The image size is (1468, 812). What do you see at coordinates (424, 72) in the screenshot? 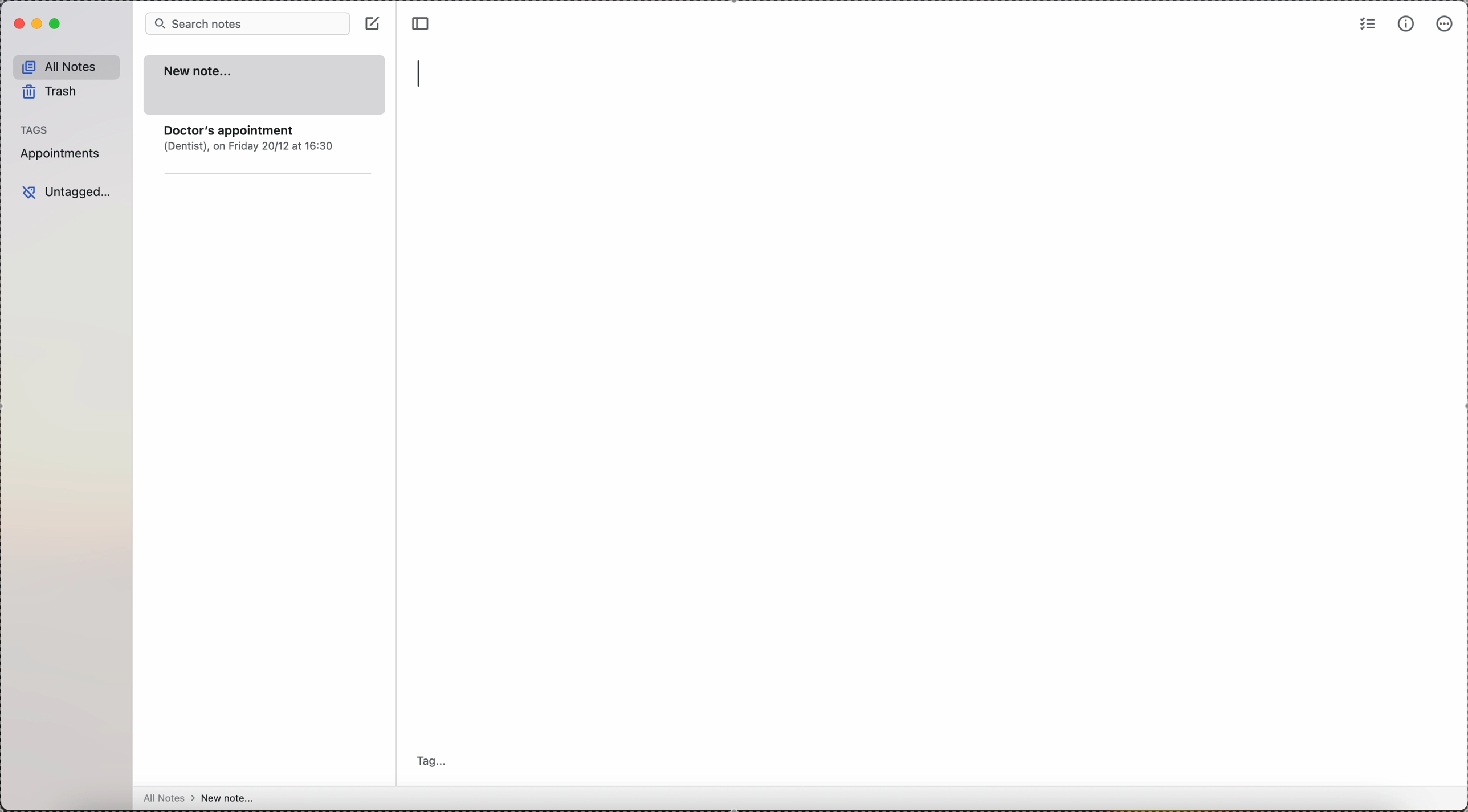
I see `text cursor` at bounding box center [424, 72].